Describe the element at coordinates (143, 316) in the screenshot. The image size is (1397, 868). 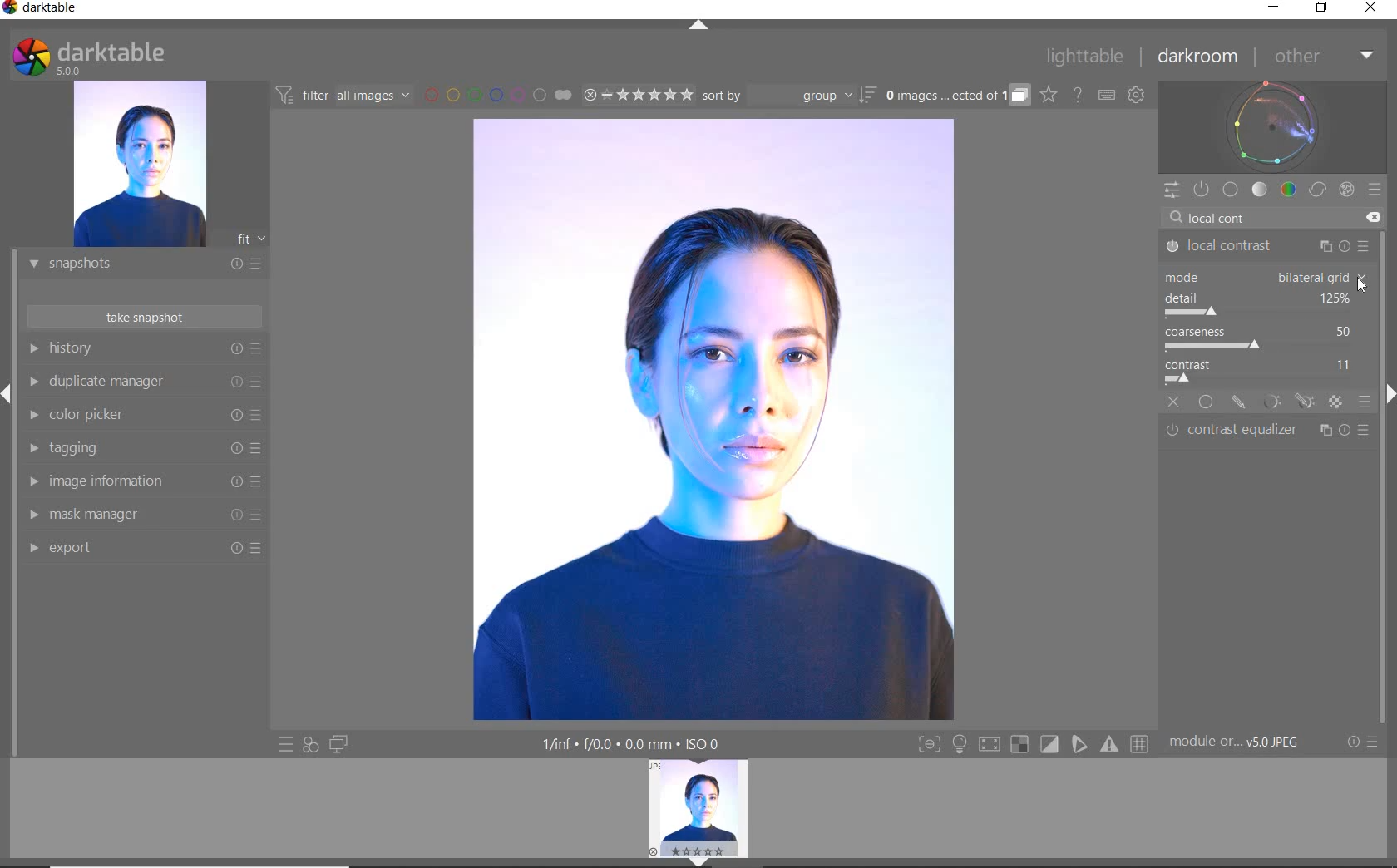
I see `TAKE SNAPSHOT` at that location.